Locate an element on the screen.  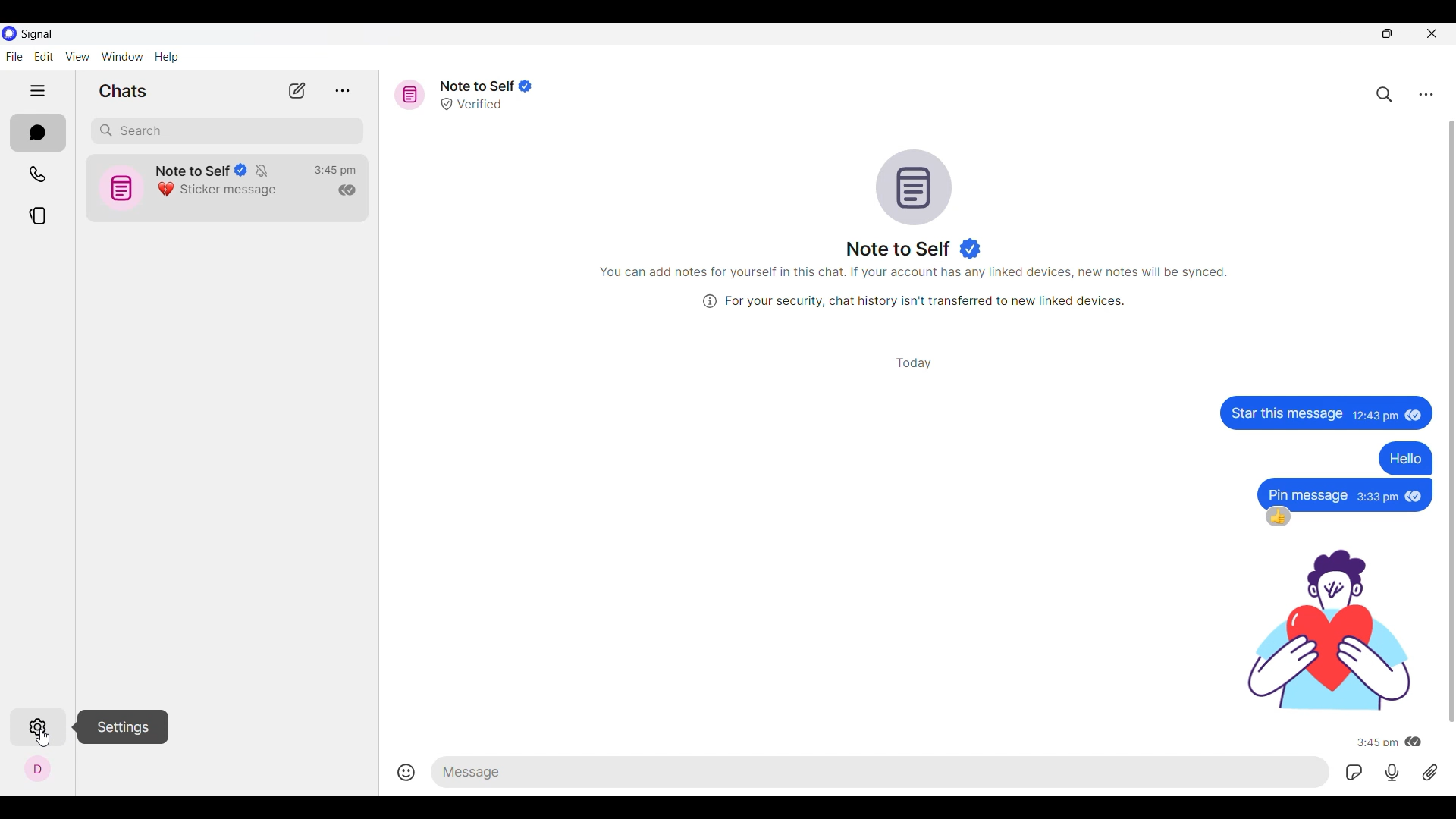
thumbsup is located at coordinates (1279, 517).